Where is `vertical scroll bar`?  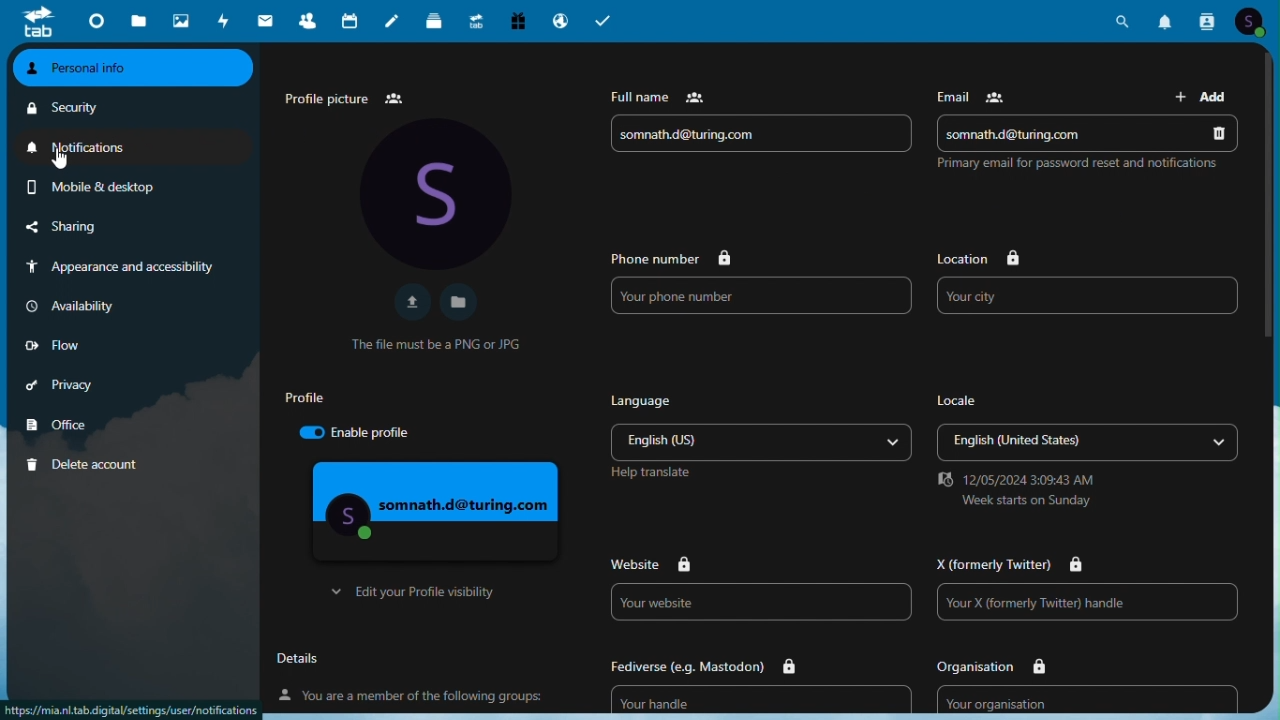
vertical scroll bar is located at coordinates (1272, 198).